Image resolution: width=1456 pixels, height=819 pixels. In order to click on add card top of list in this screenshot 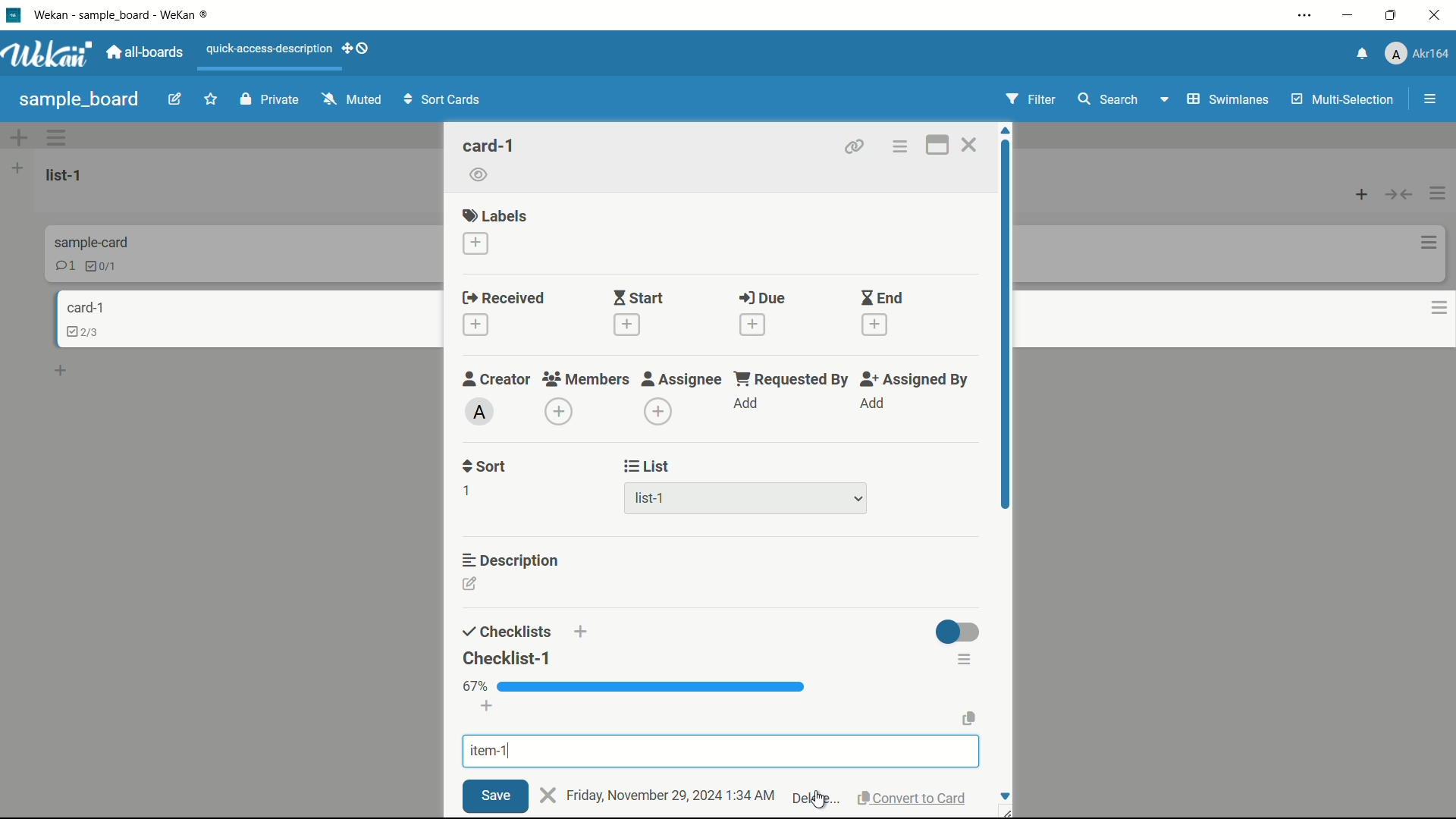, I will do `click(1358, 193)`.